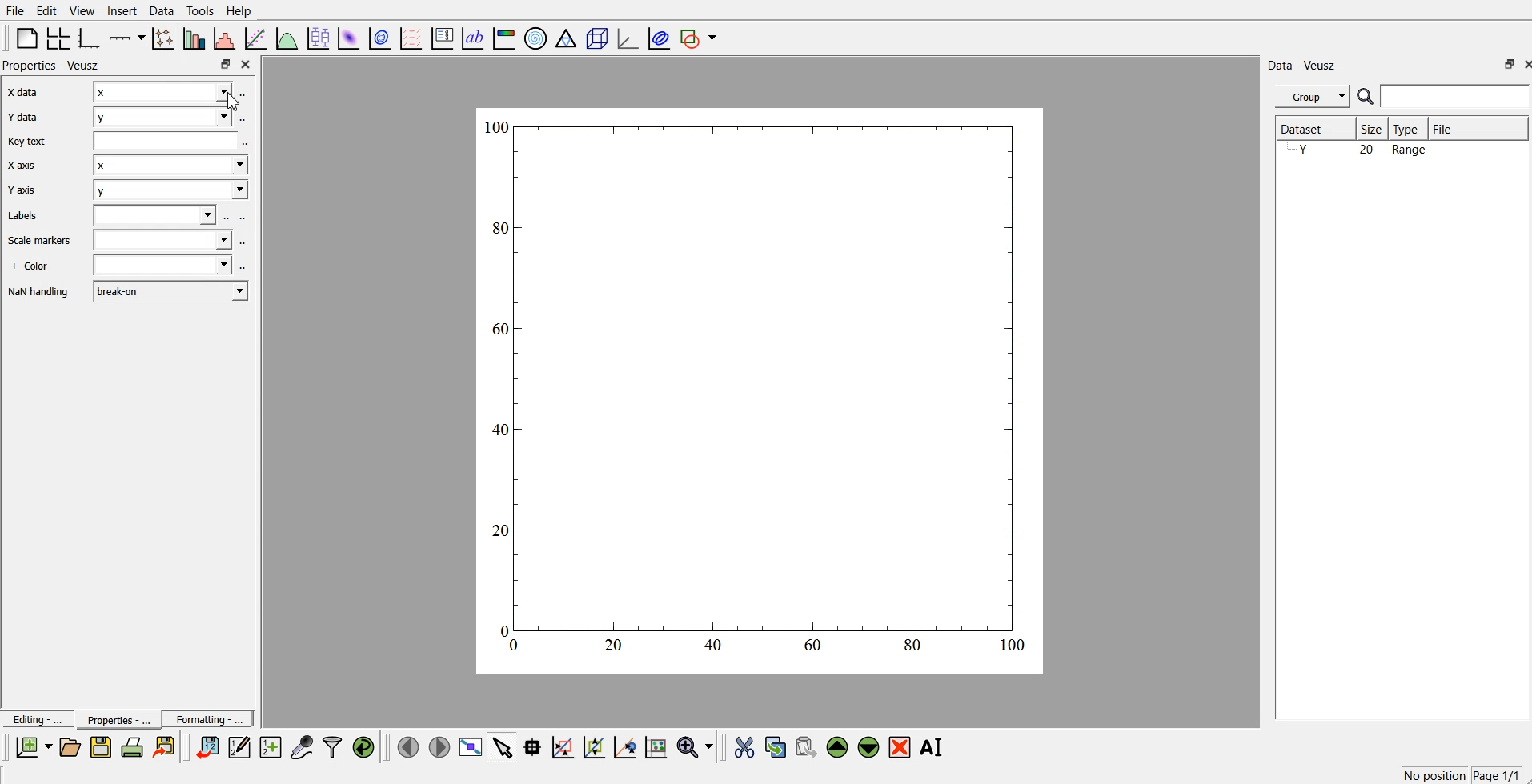  What do you see at coordinates (120, 11) in the screenshot?
I see `Insert` at bounding box center [120, 11].